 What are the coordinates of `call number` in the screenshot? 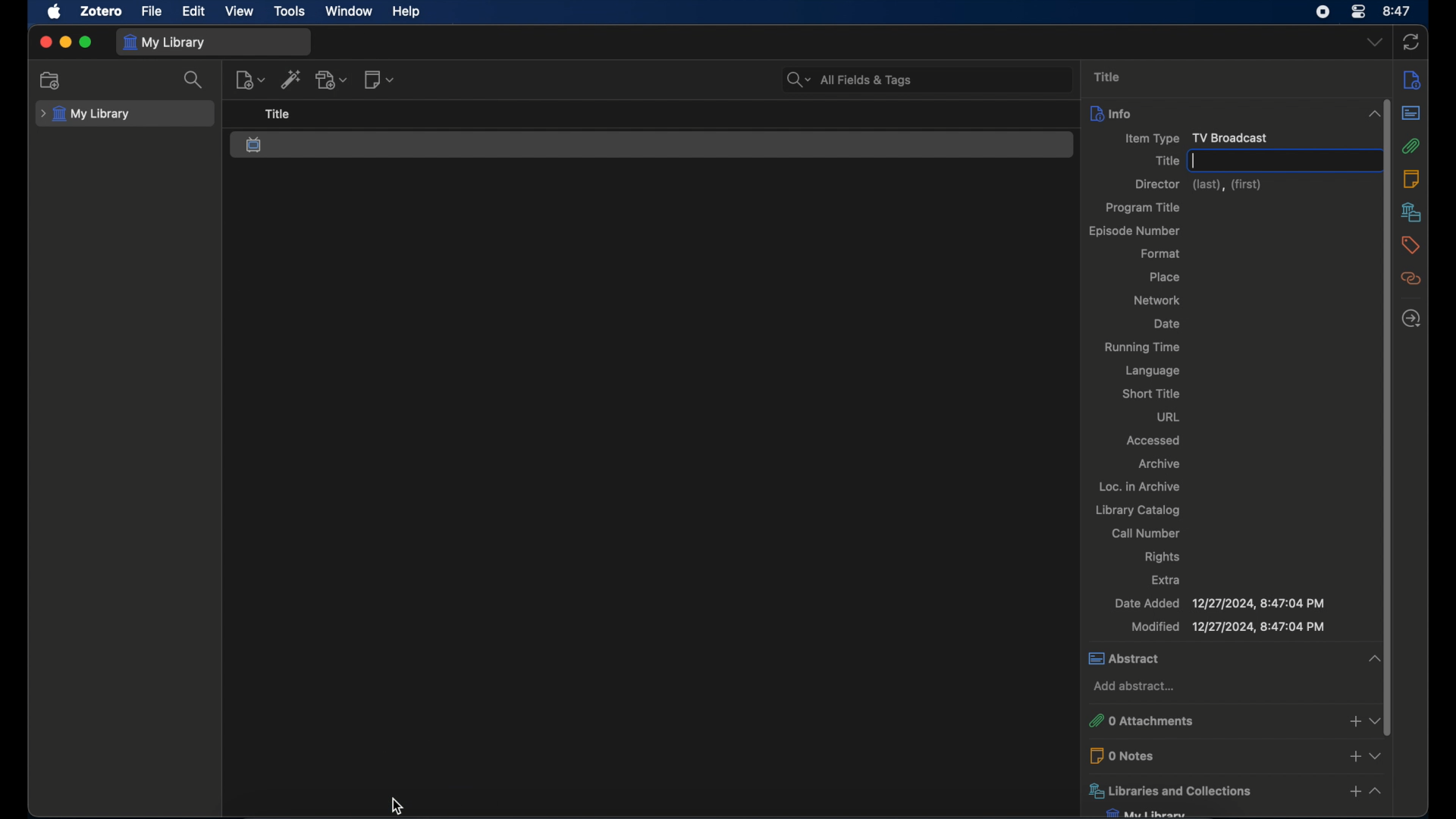 It's located at (1145, 534).